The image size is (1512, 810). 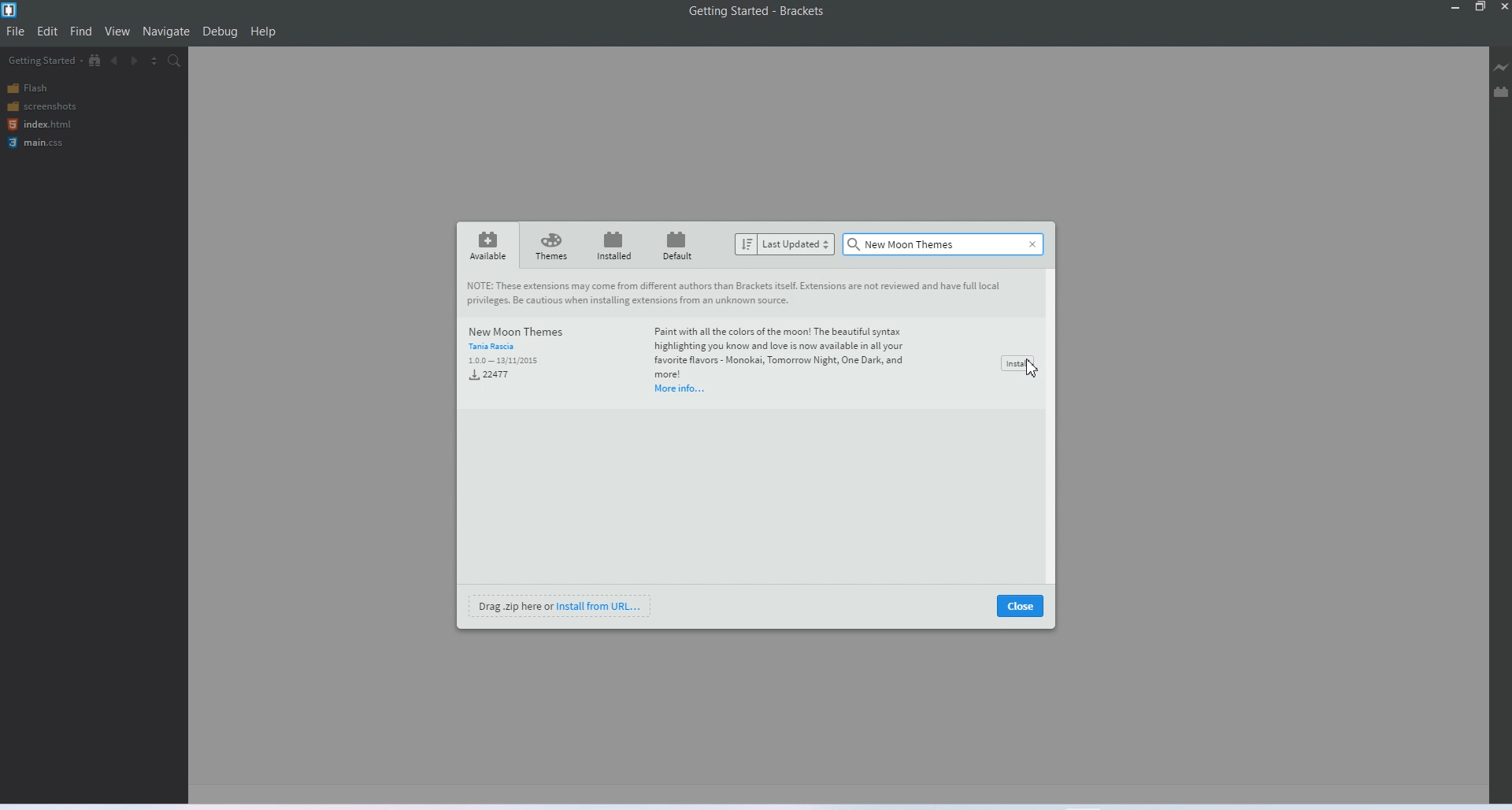 What do you see at coordinates (560, 605) in the screenshot?
I see `Install from URL` at bounding box center [560, 605].